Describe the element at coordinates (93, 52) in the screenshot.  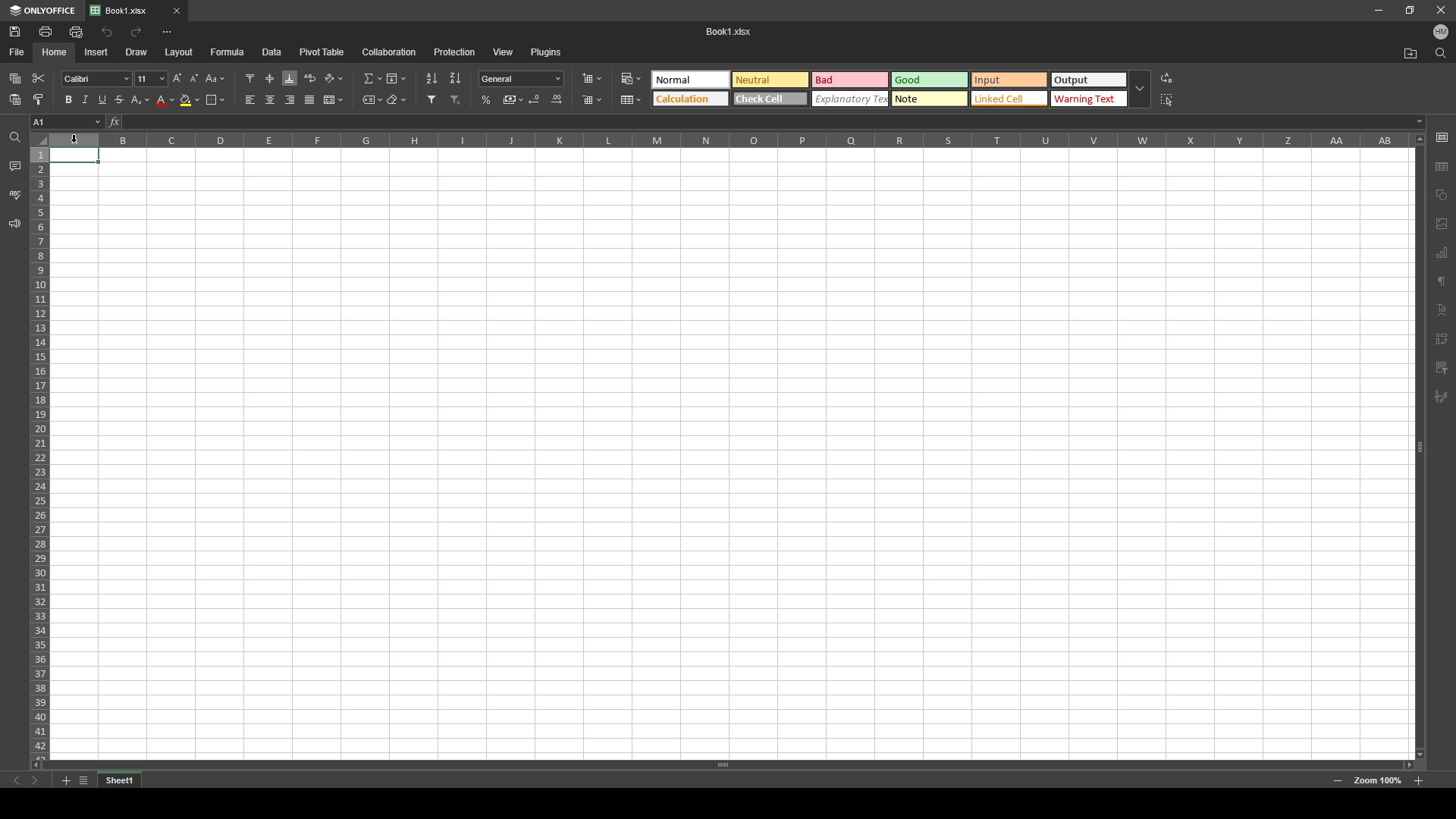
I see `insert` at that location.